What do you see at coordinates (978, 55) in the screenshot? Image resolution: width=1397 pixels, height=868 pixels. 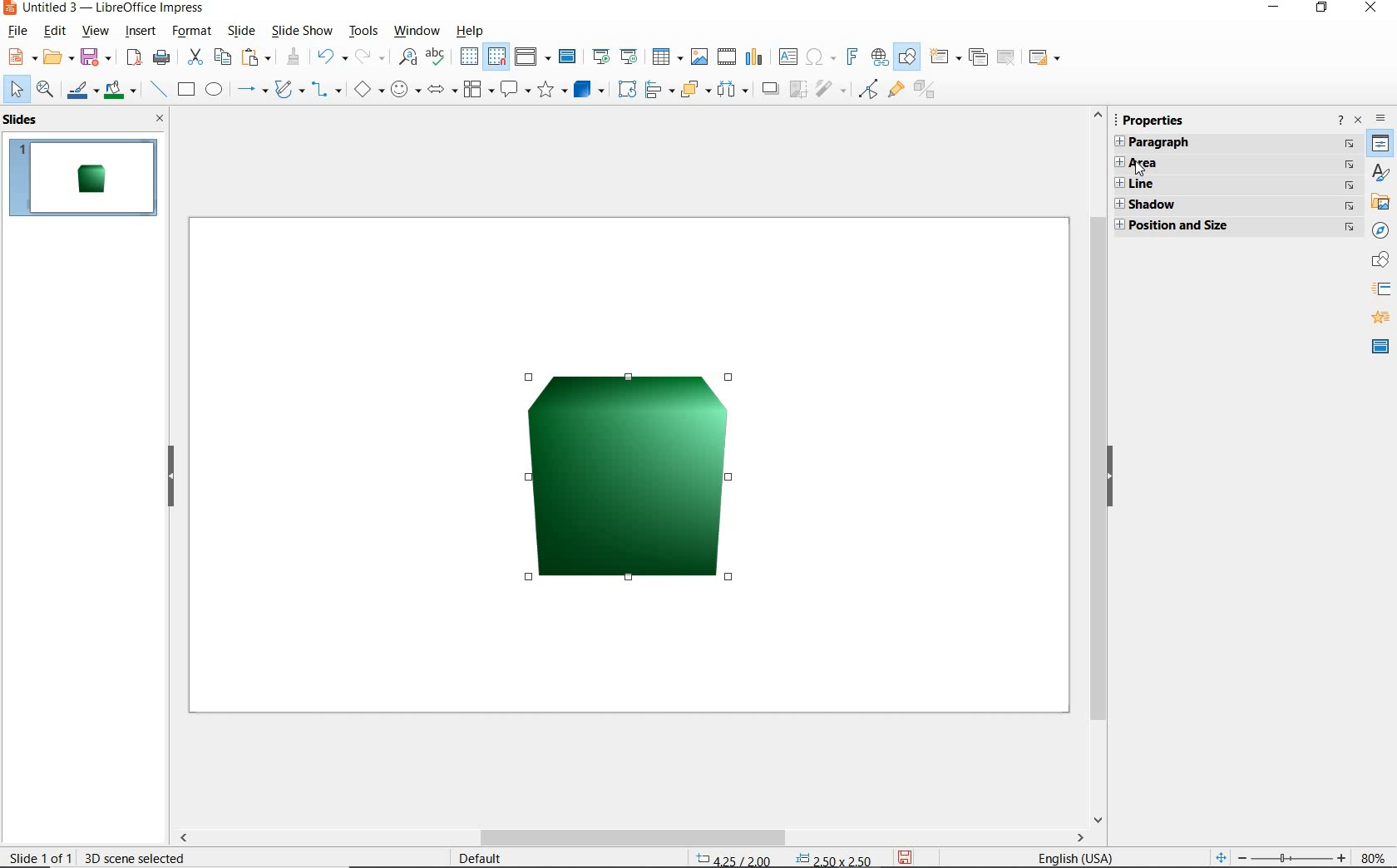 I see `duplicate slide` at bounding box center [978, 55].